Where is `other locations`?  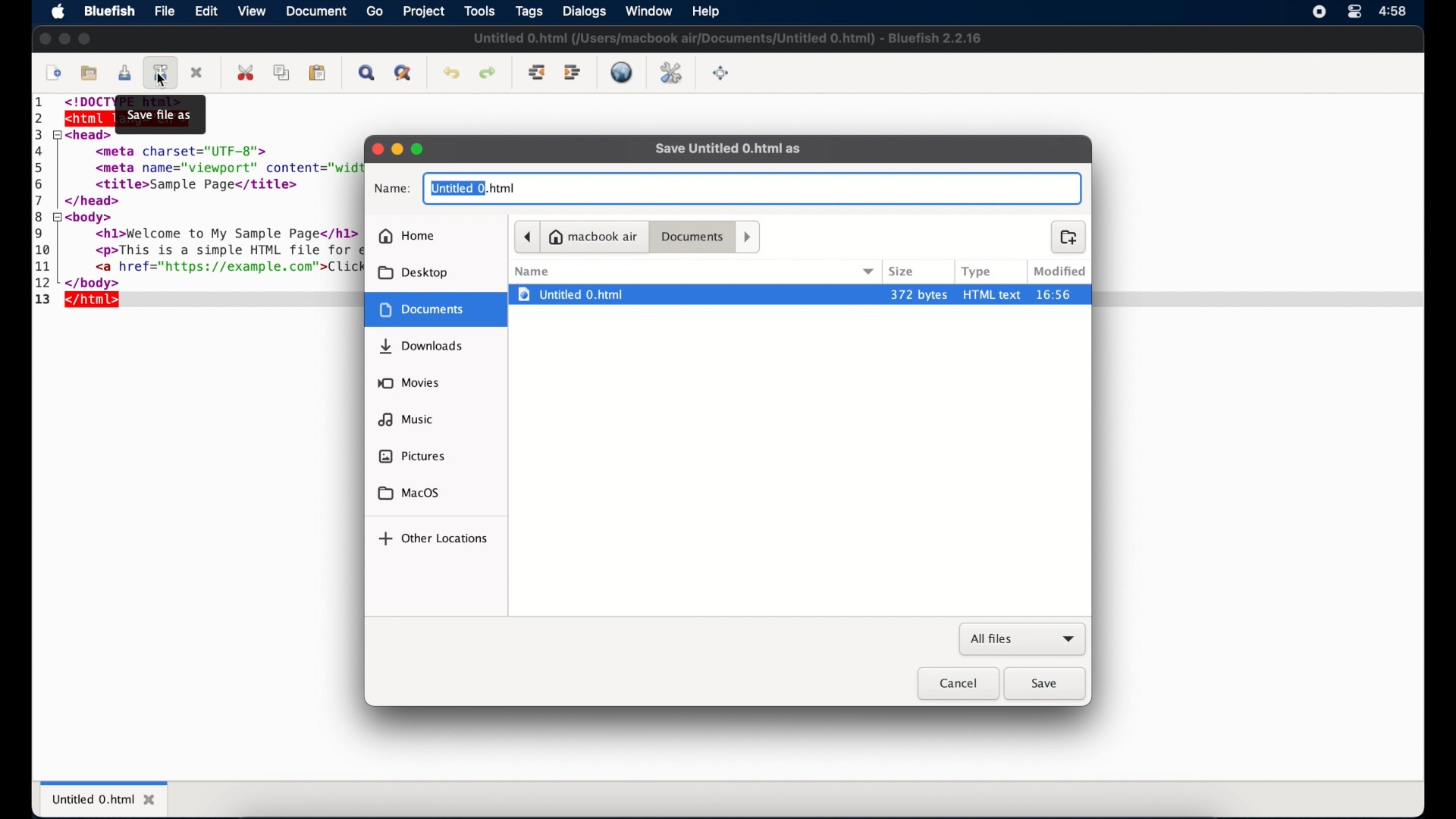 other locations is located at coordinates (432, 538).